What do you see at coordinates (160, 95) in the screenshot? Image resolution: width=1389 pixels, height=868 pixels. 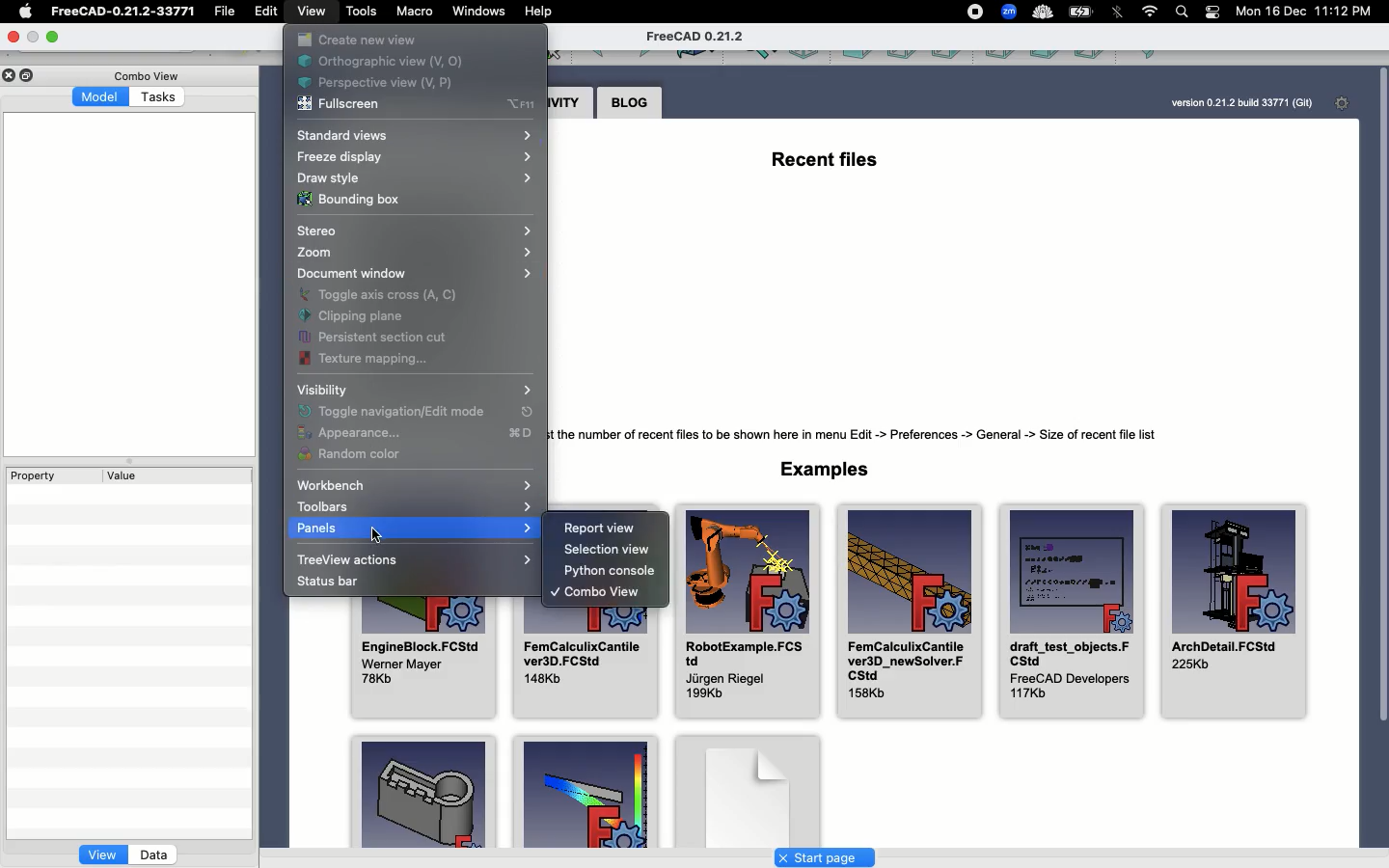 I see `Tasks` at bounding box center [160, 95].